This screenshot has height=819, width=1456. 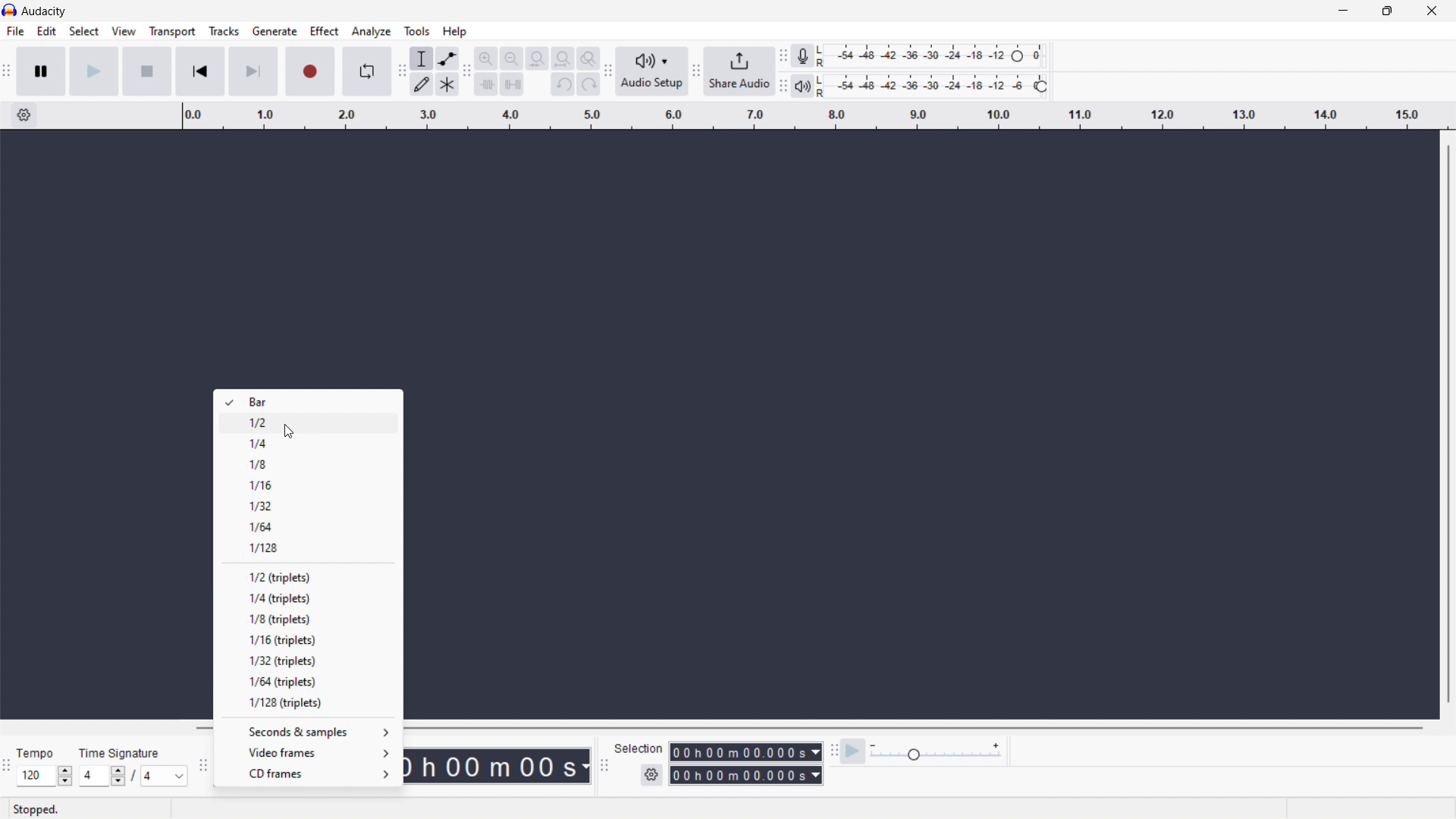 What do you see at coordinates (308, 620) in the screenshot?
I see `1/8 (triplets)` at bounding box center [308, 620].